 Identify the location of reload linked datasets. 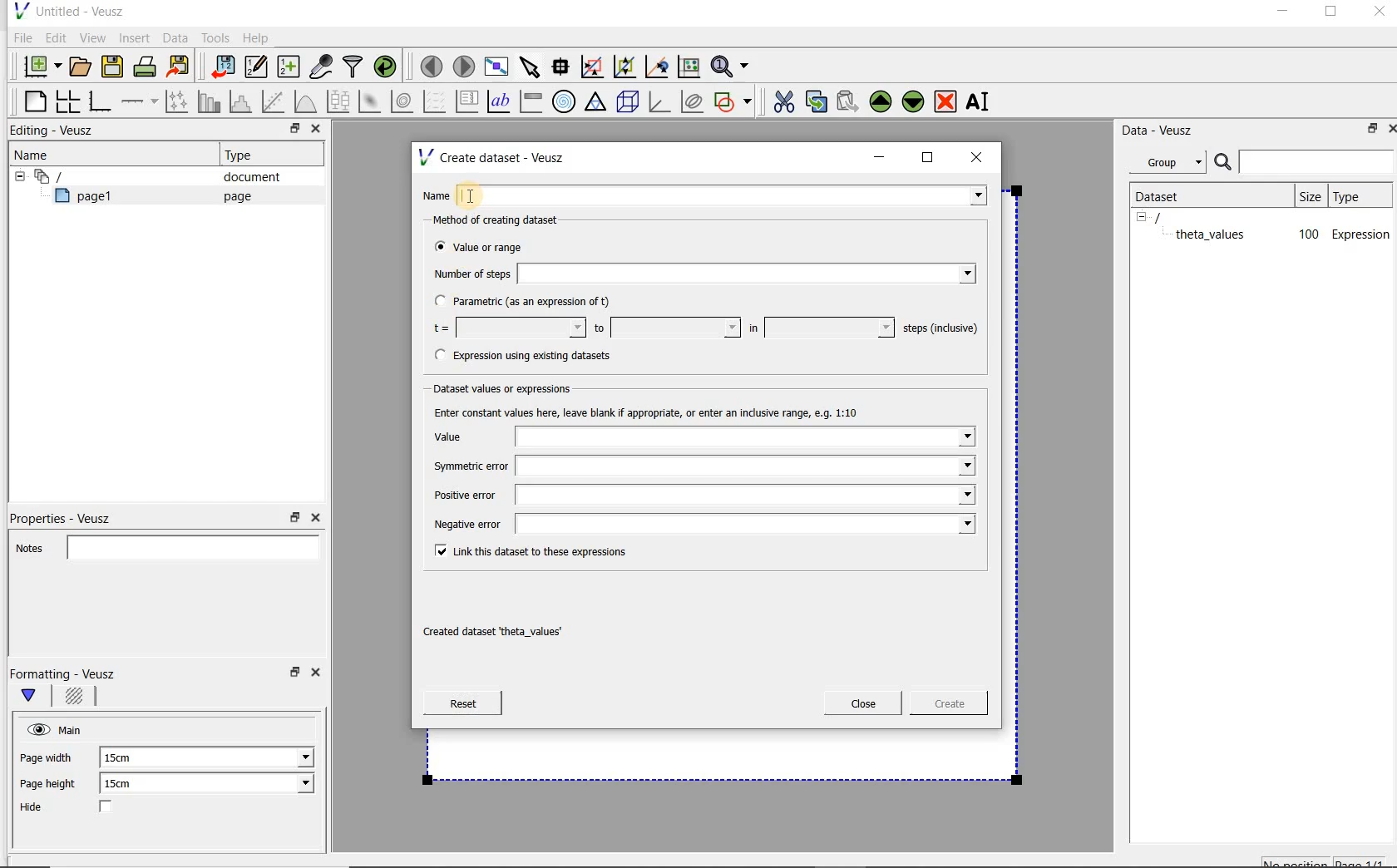
(388, 67).